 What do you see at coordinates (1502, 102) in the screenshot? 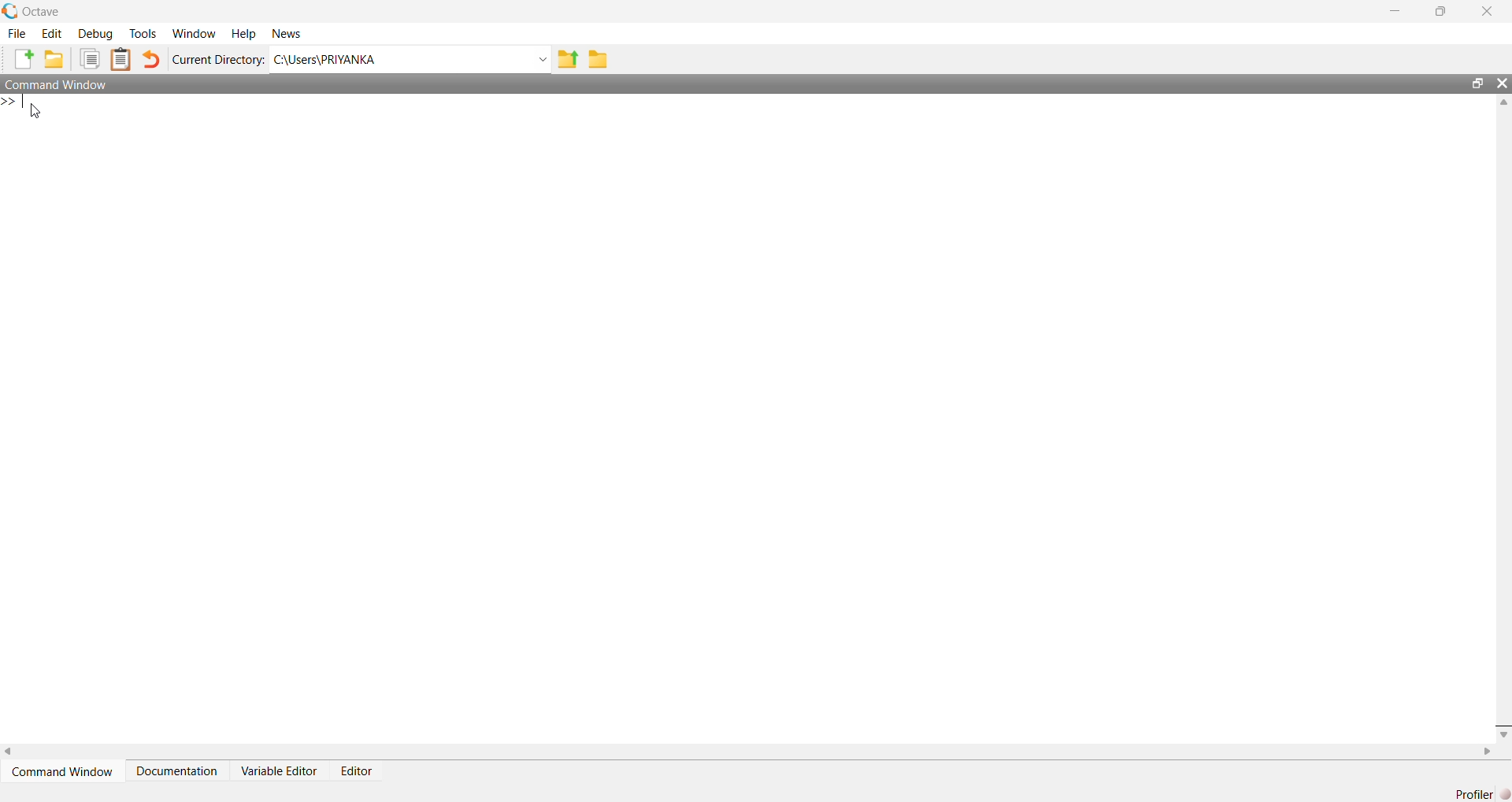
I see `scroll up` at bounding box center [1502, 102].